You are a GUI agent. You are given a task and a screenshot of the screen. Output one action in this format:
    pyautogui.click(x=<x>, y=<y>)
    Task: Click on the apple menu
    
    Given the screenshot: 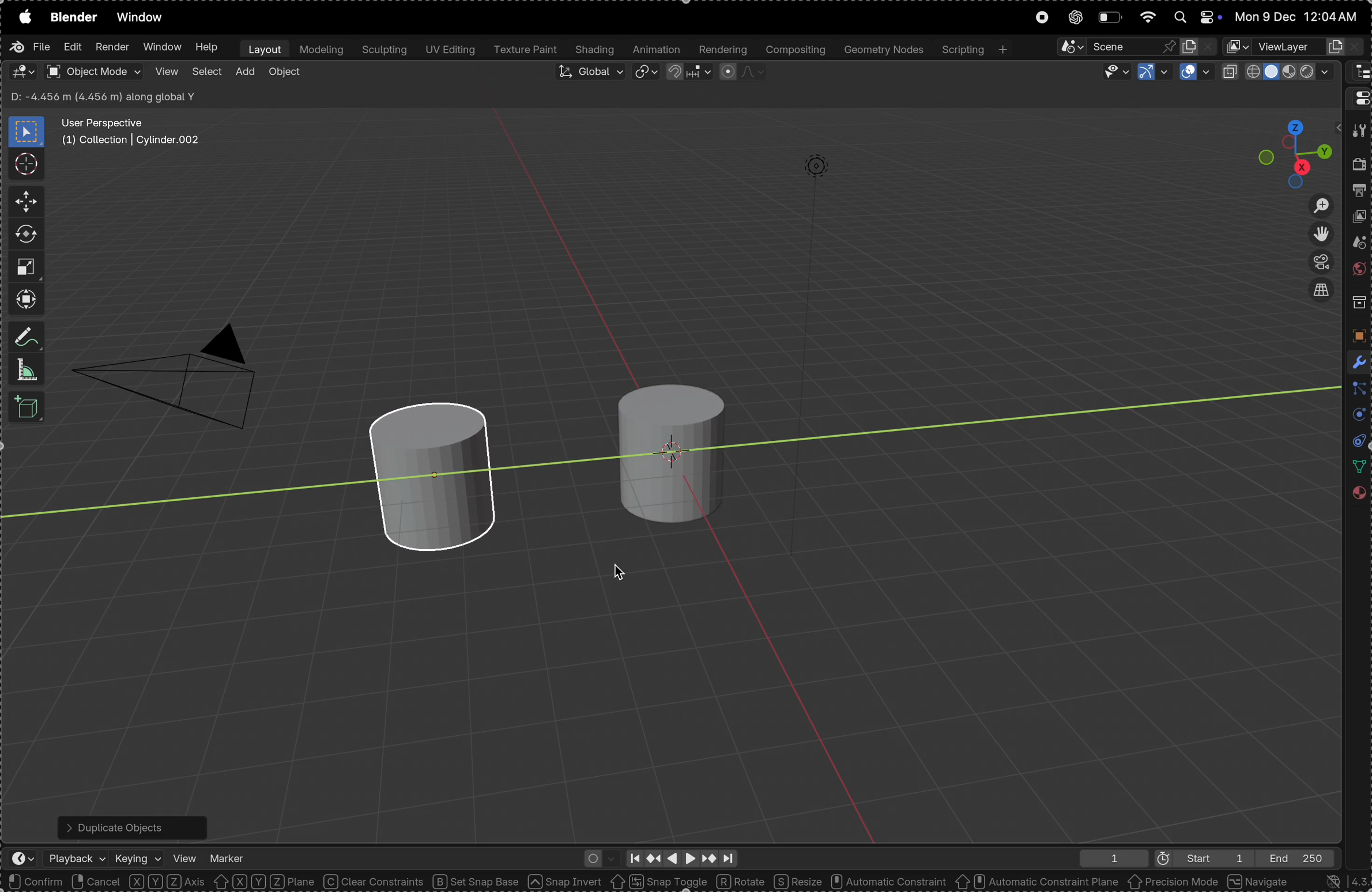 What is the action you would take?
    pyautogui.click(x=22, y=17)
    